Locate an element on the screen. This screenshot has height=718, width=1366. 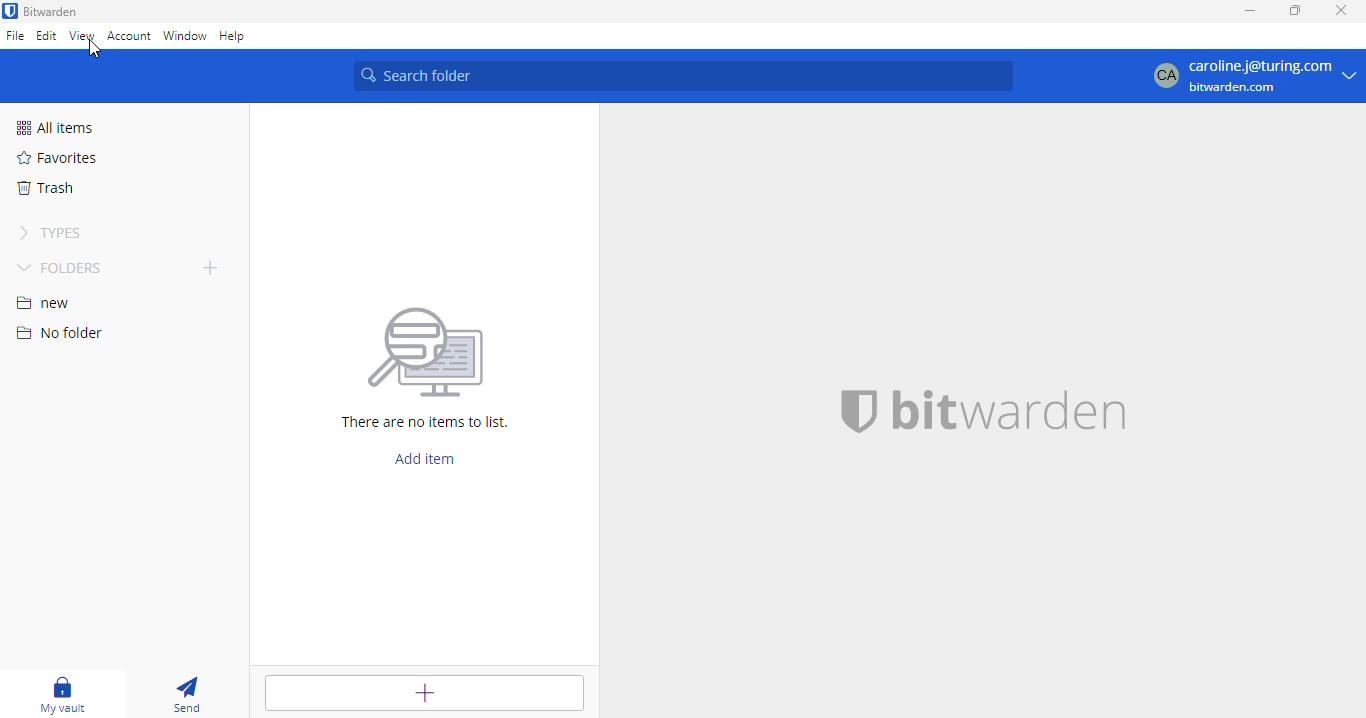
cursor is located at coordinates (94, 50).